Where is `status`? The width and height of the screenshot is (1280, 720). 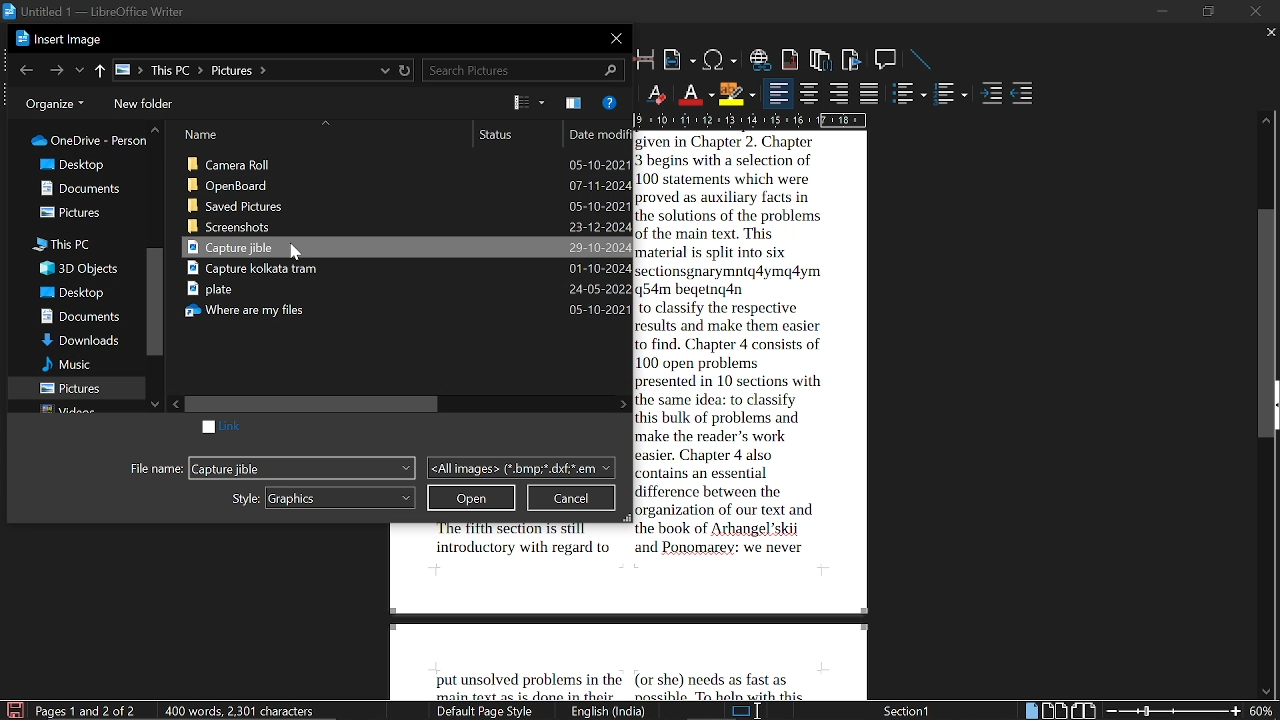 status is located at coordinates (510, 136).